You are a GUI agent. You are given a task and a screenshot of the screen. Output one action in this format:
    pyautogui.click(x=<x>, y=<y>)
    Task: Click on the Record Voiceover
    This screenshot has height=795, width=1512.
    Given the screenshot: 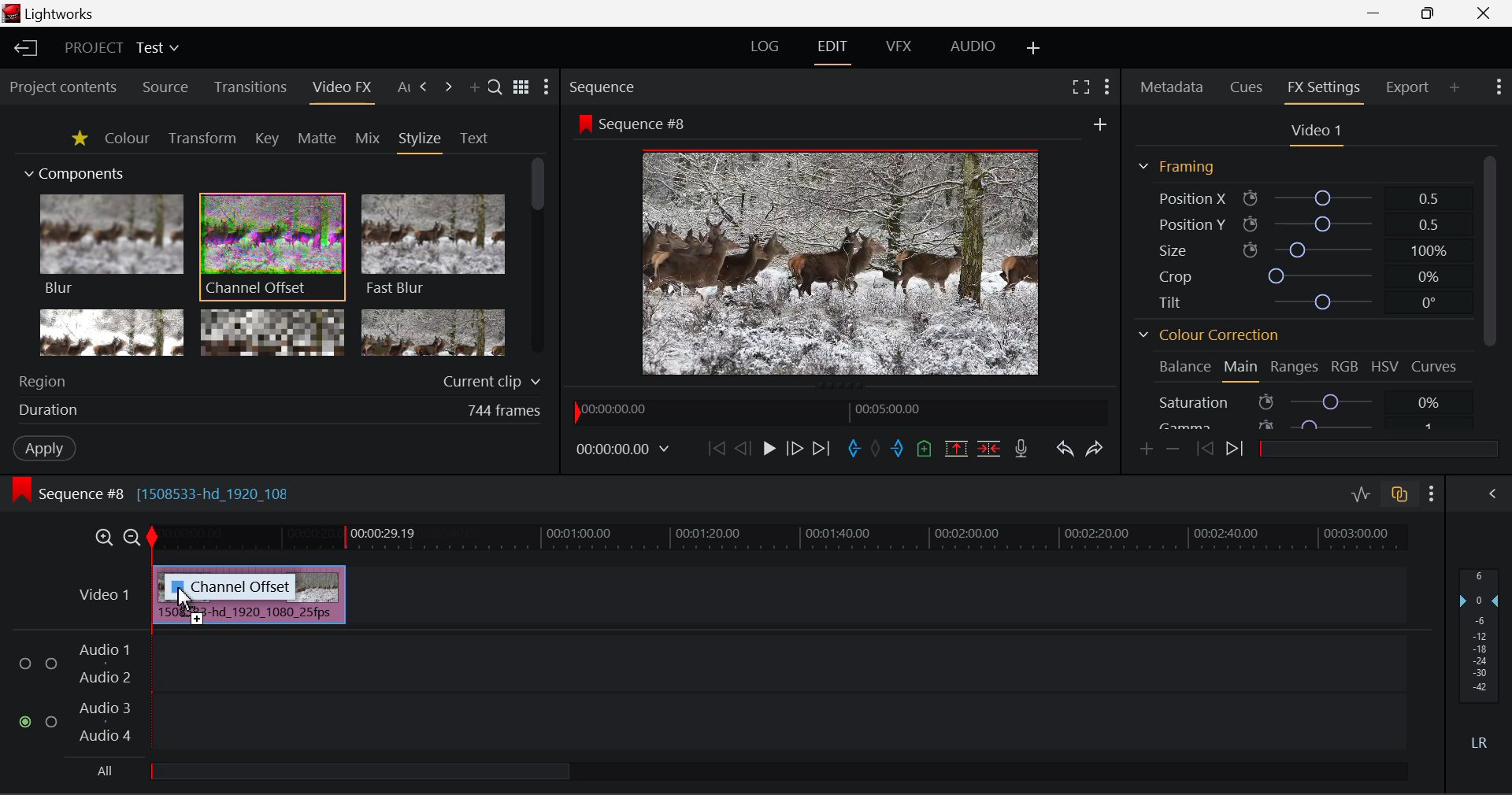 What is the action you would take?
    pyautogui.click(x=1021, y=450)
    